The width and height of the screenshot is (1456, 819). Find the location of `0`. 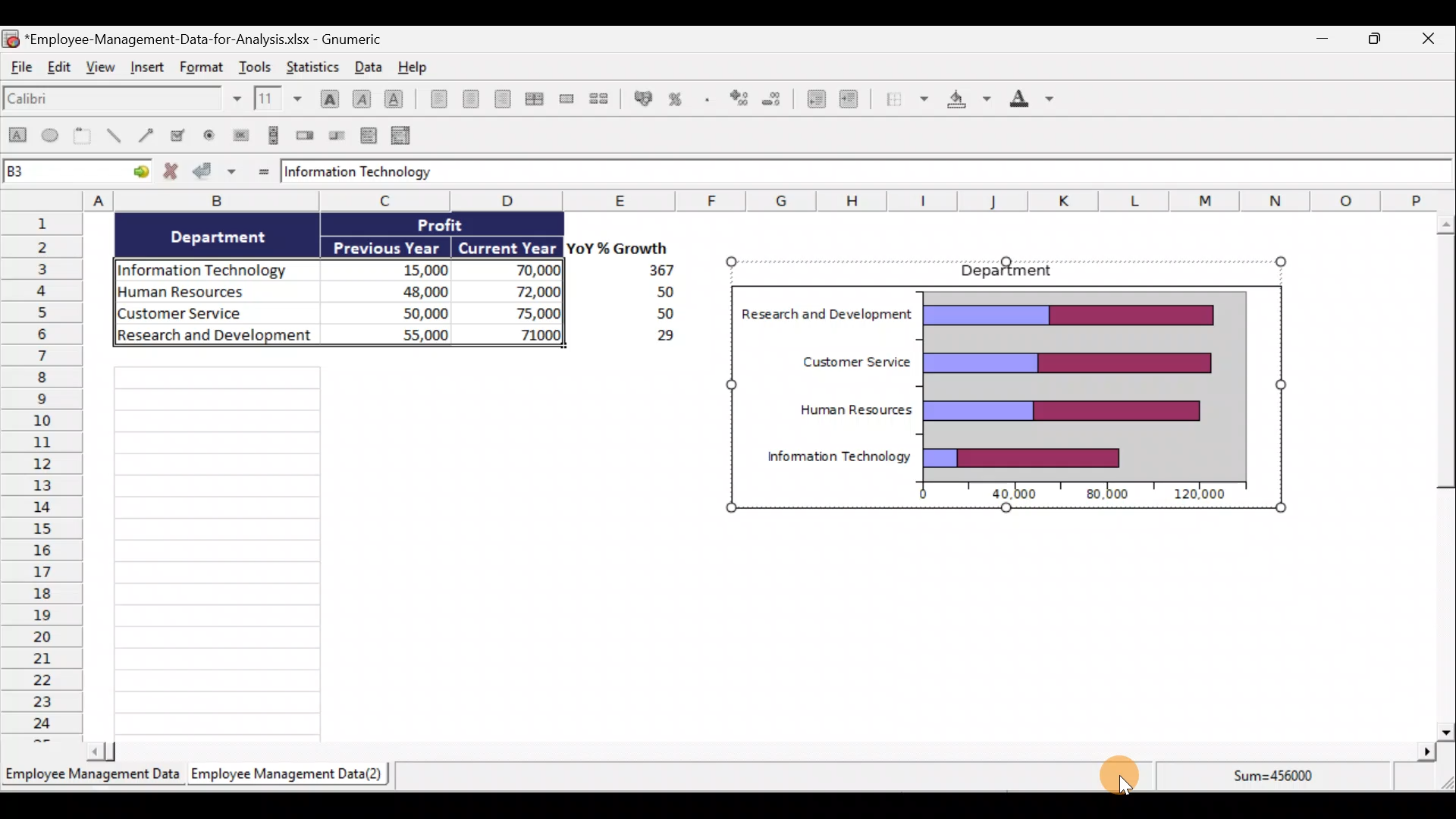

0 is located at coordinates (916, 496).